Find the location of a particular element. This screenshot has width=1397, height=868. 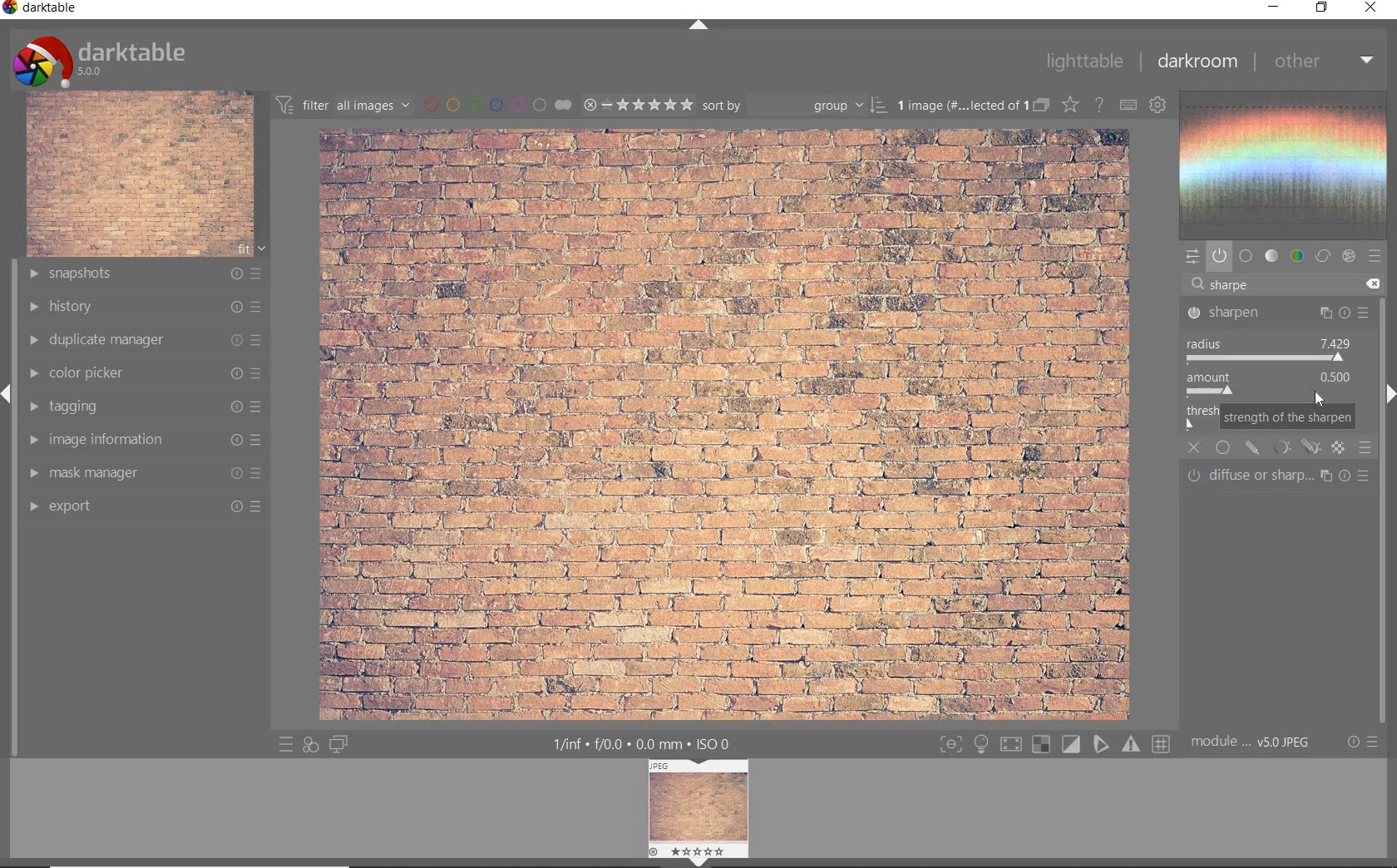

snapshots is located at coordinates (146, 274).